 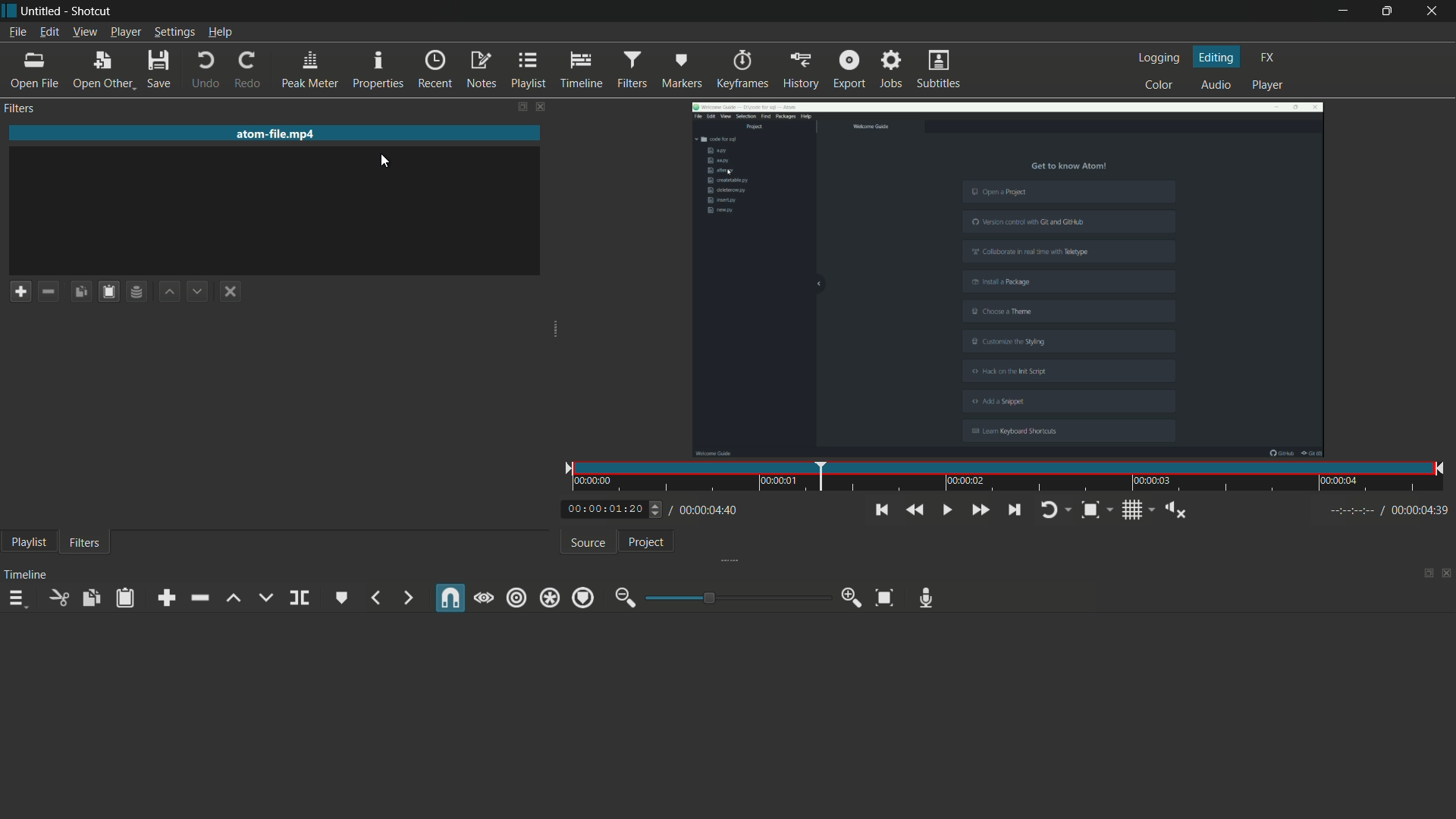 What do you see at coordinates (623, 598) in the screenshot?
I see `zoom out` at bounding box center [623, 598].